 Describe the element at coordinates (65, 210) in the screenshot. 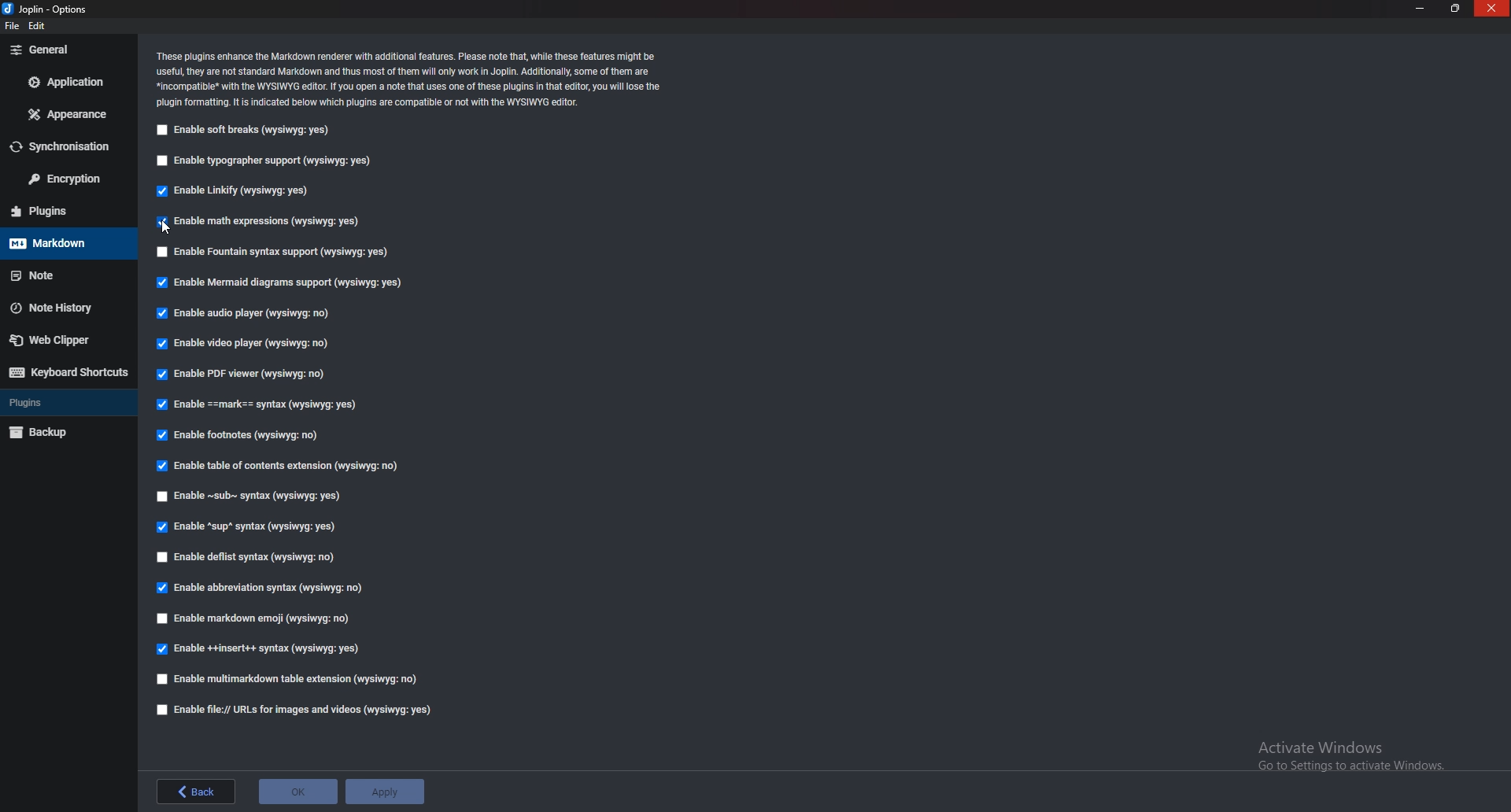

I see `Plugins` at that location.